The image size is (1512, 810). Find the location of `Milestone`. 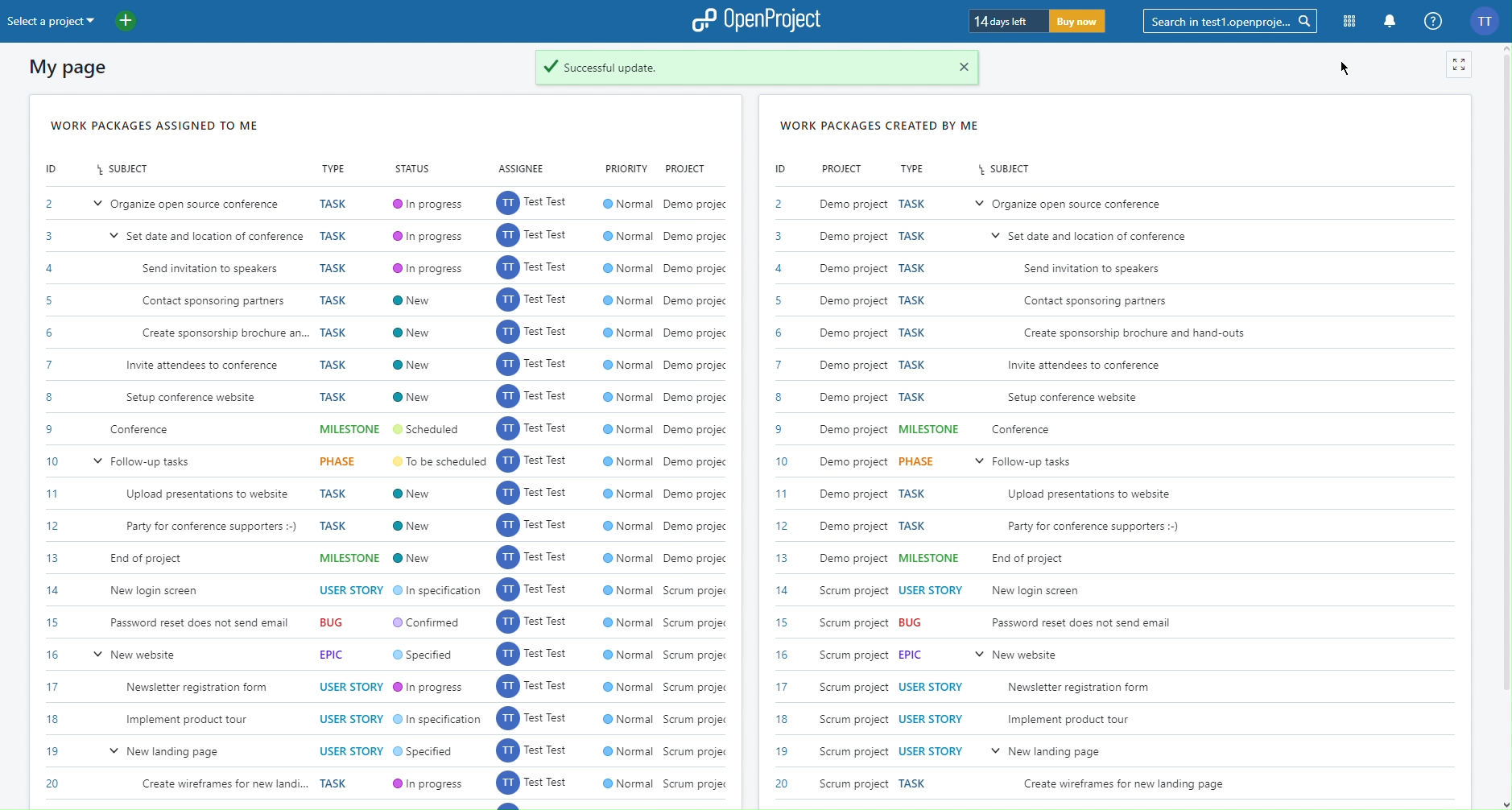

Milestone is located at coordinates (930, 560).